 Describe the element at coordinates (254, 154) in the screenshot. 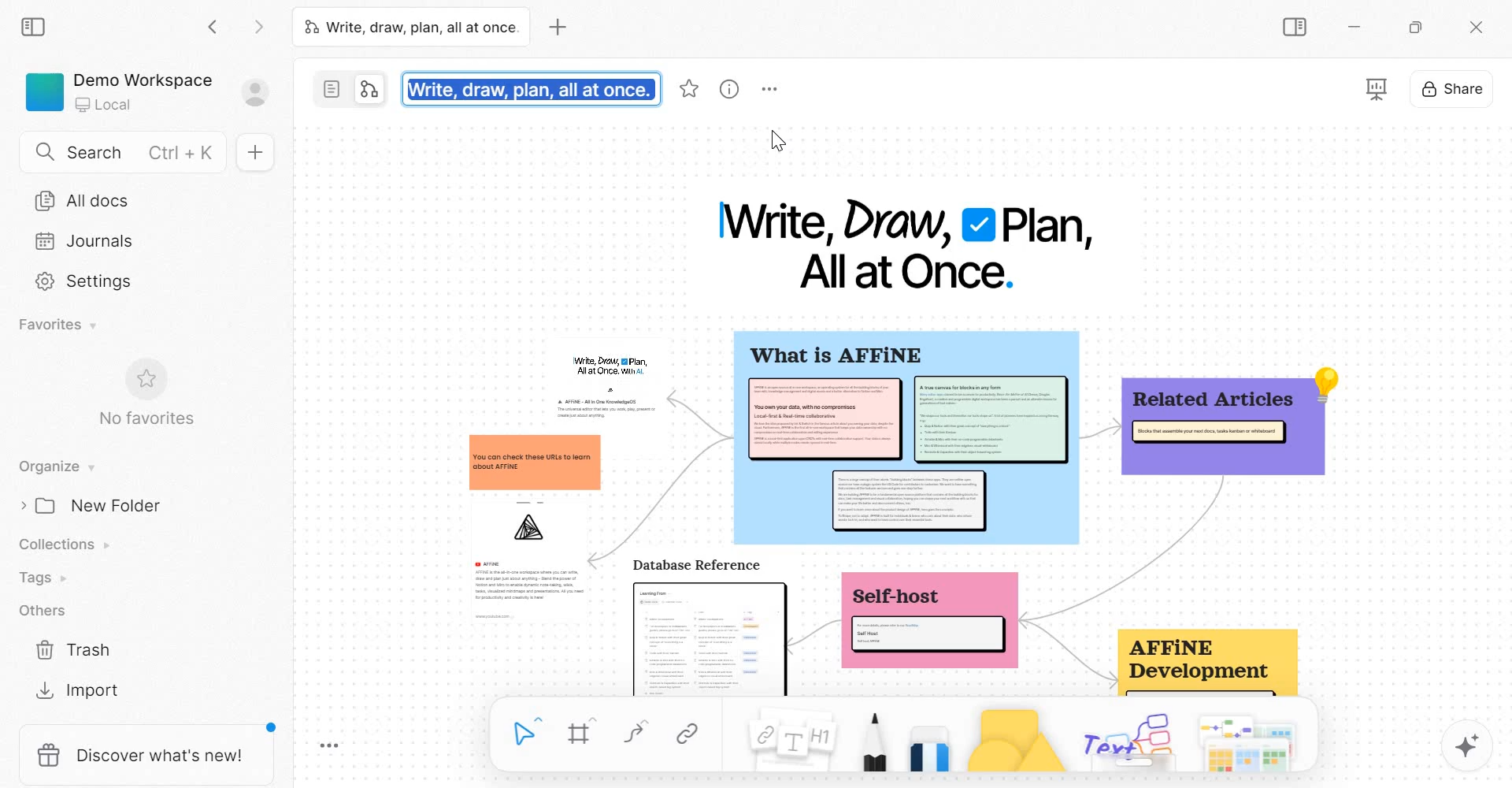

I see `New doc` at that location.